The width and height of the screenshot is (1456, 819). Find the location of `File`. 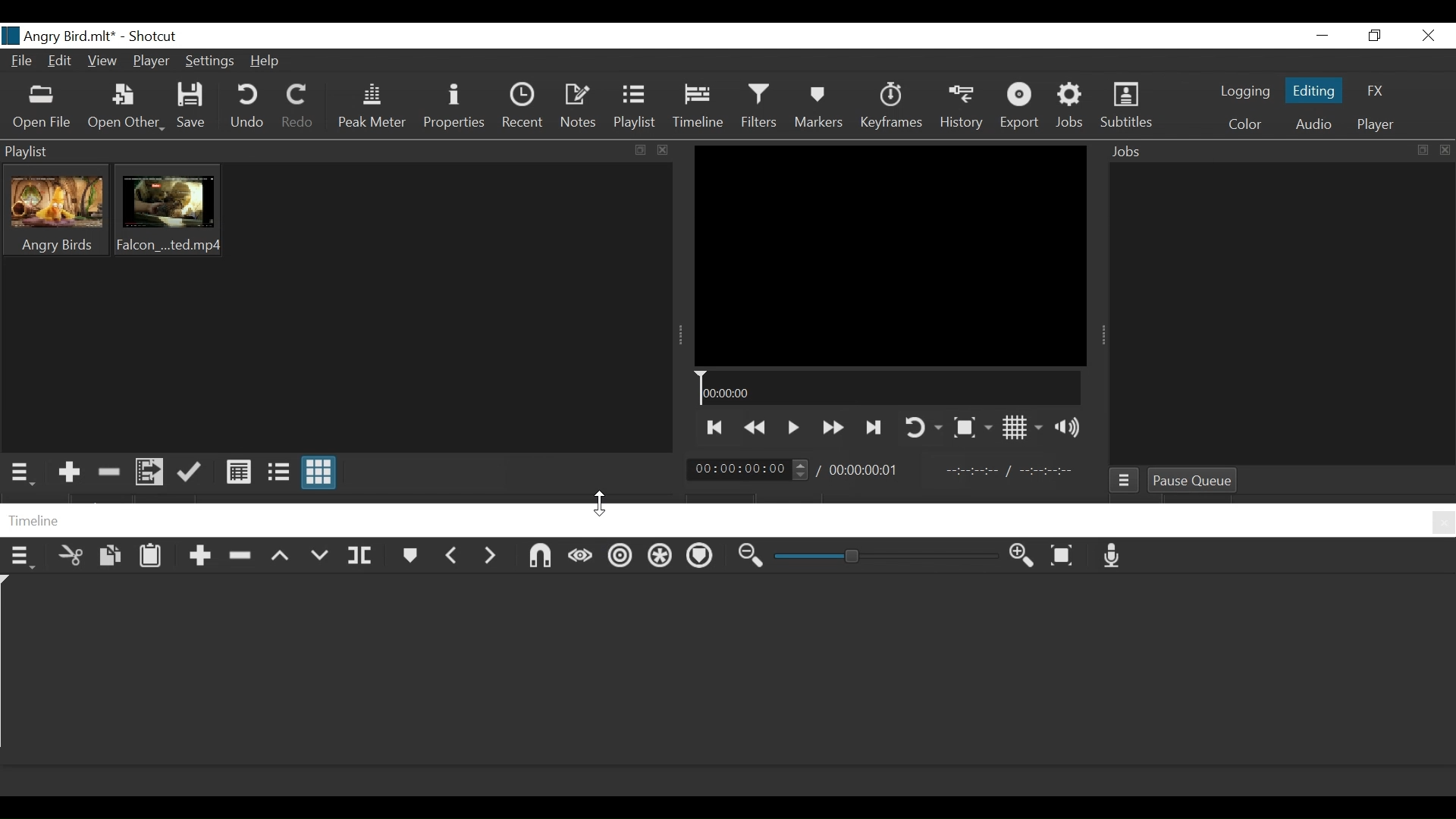

File is located at coordinates (21, 63).